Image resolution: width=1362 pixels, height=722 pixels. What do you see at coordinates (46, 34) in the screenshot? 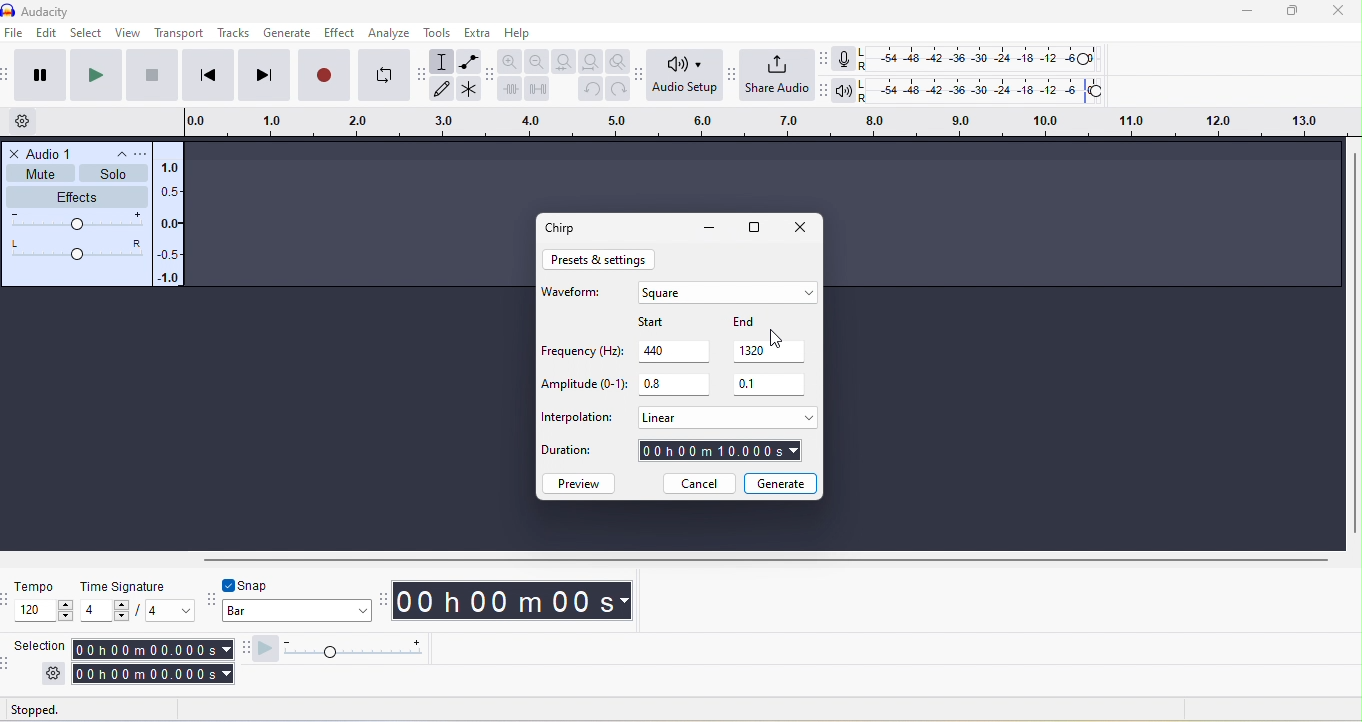
I see `edit` at bounding box center [46, 34].